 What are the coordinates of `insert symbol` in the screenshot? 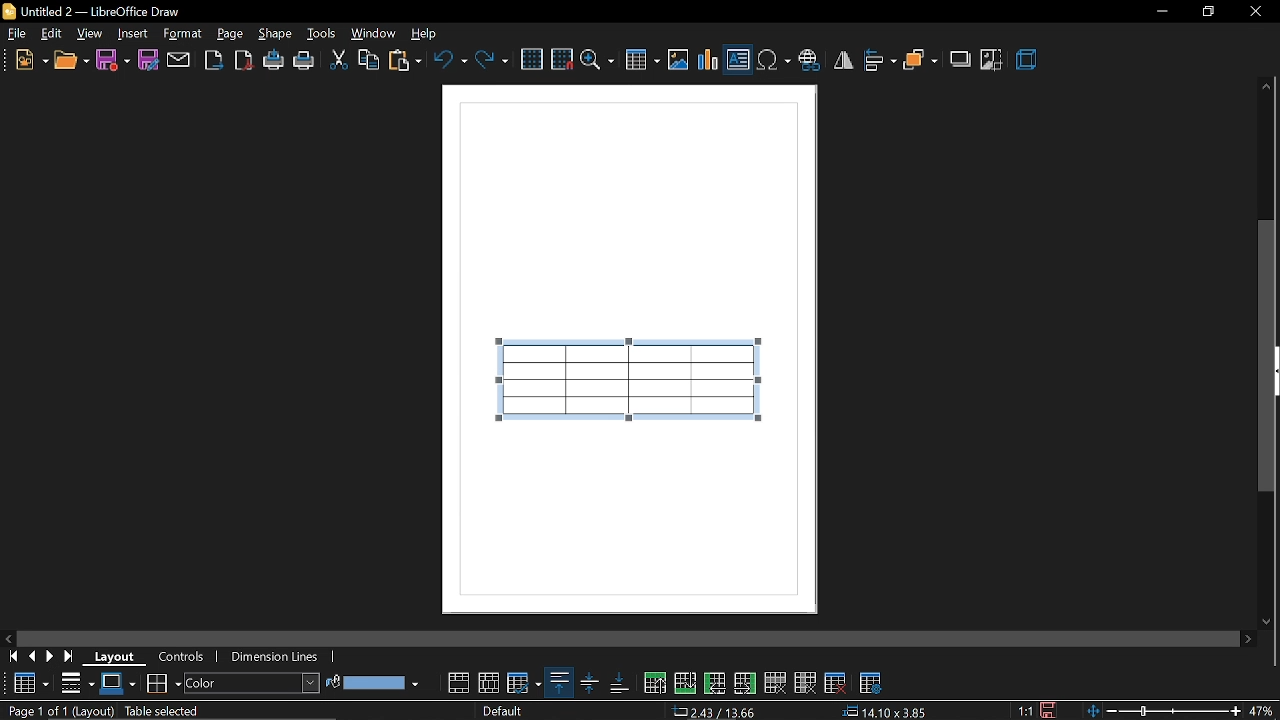 It's located at (773, 57).